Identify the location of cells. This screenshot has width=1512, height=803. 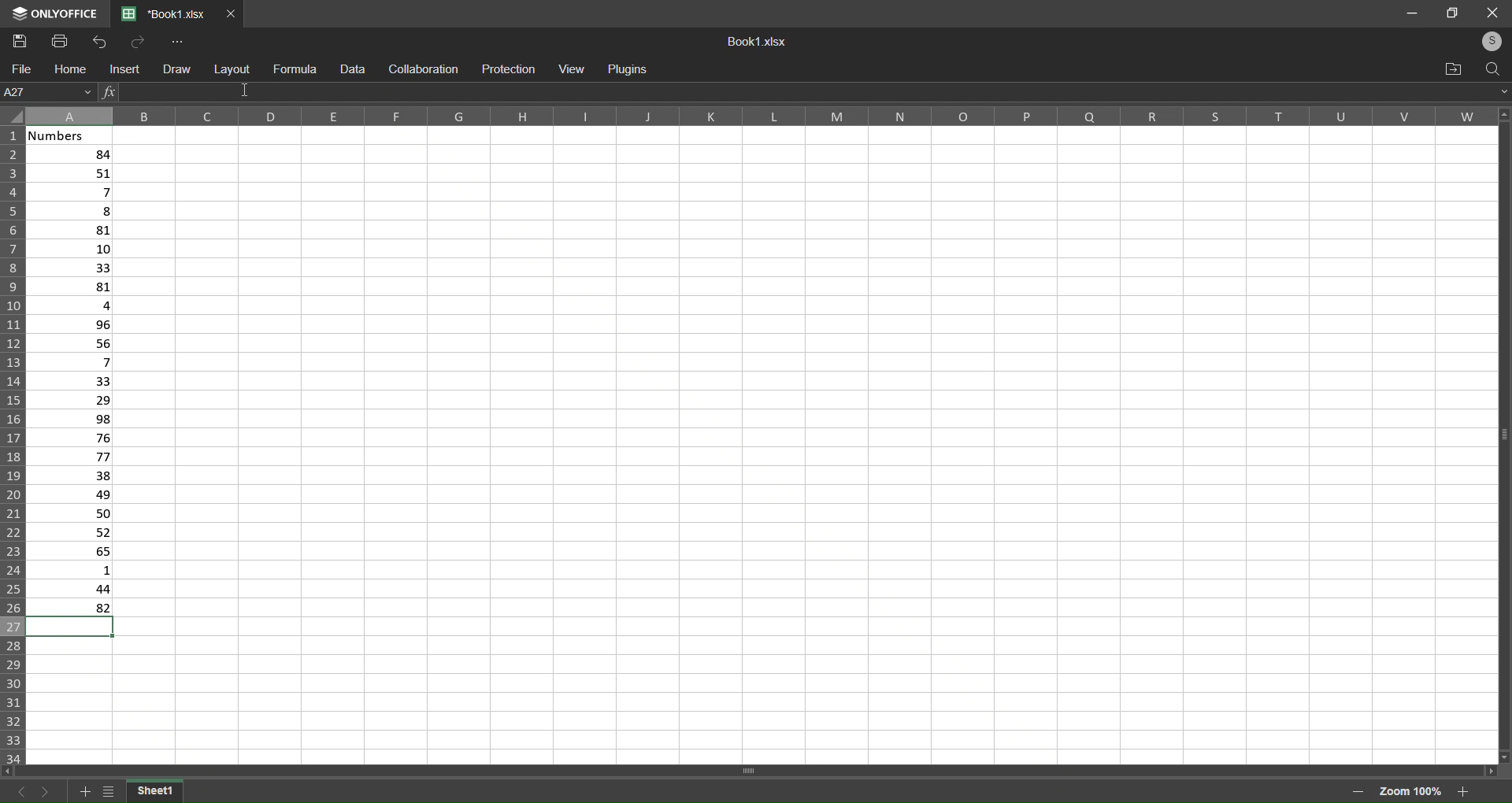
(812, 444).